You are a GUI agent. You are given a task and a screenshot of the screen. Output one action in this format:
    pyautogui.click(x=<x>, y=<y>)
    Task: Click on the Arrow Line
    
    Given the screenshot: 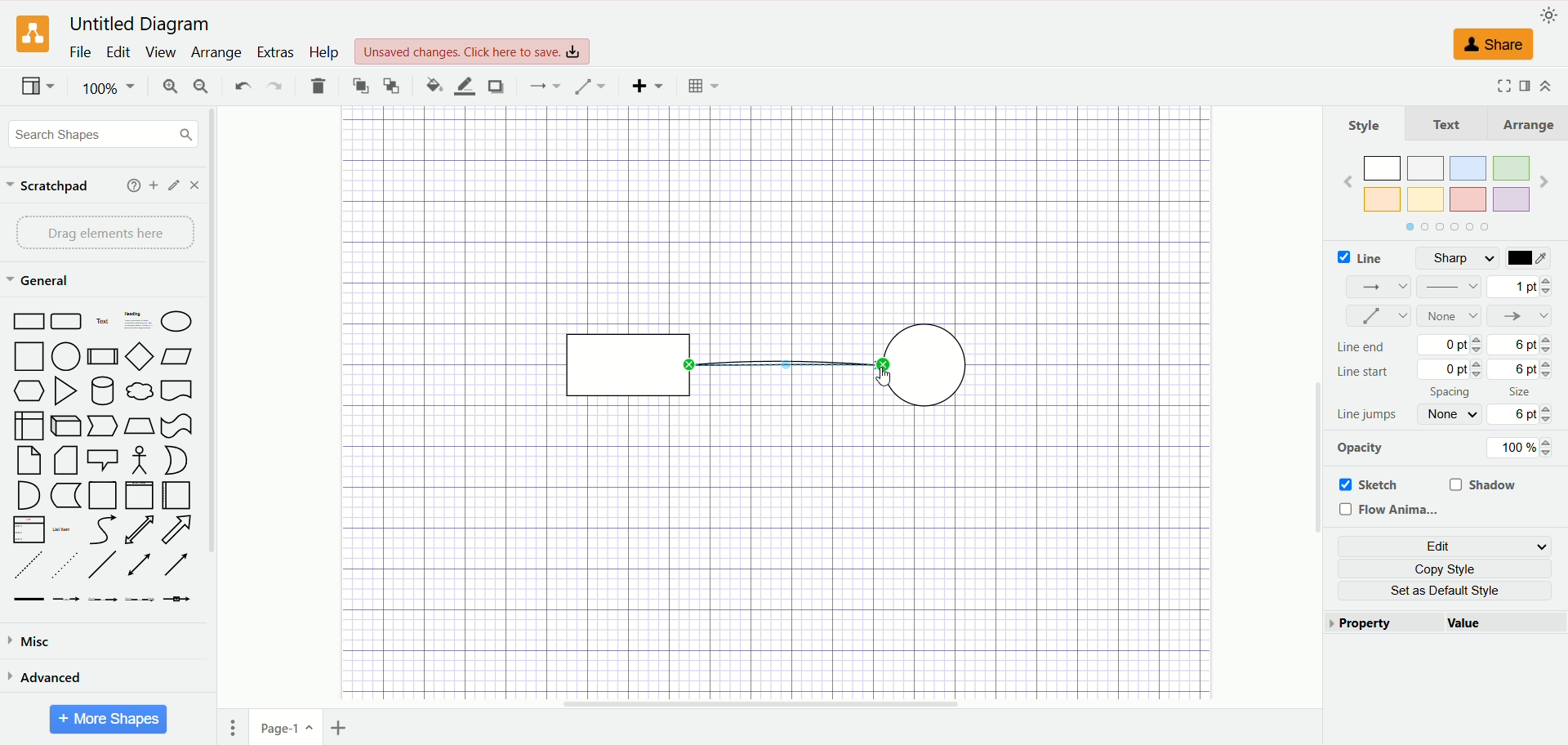 What is the action you would take?
    pyautogui.click(x=176, y=567)
    